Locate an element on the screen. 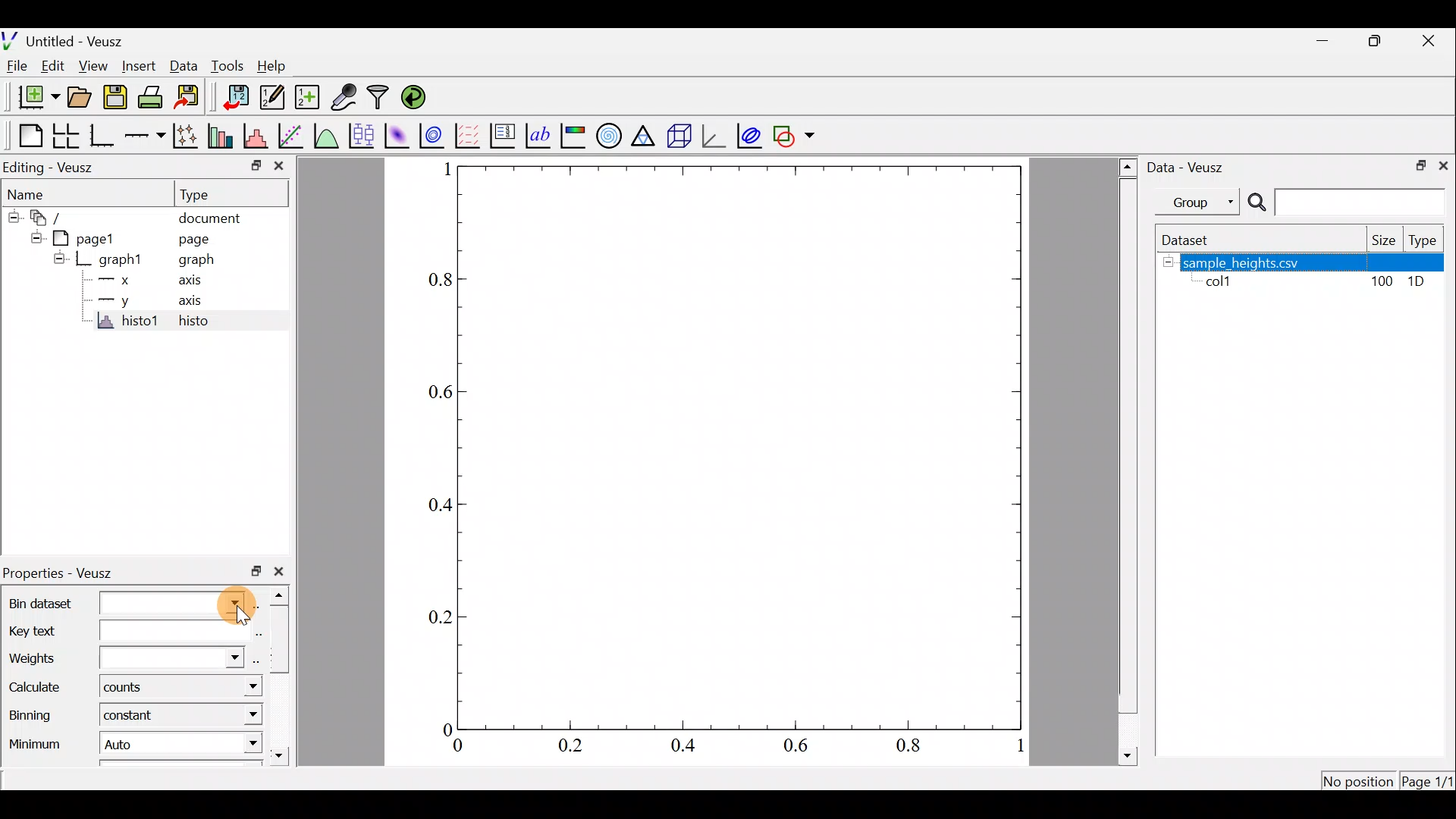  Type is located at coordinates (206, 193).